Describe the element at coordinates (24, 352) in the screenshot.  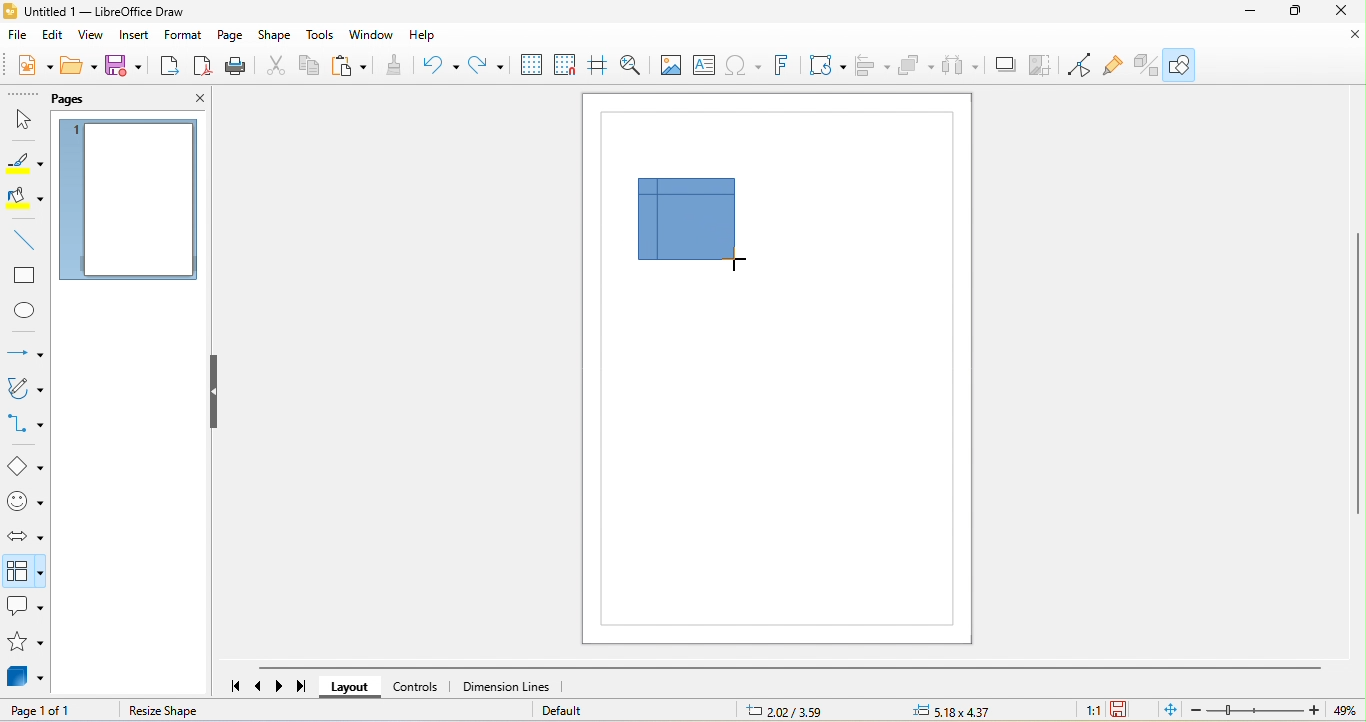
I see `lines and arrow` at that location.